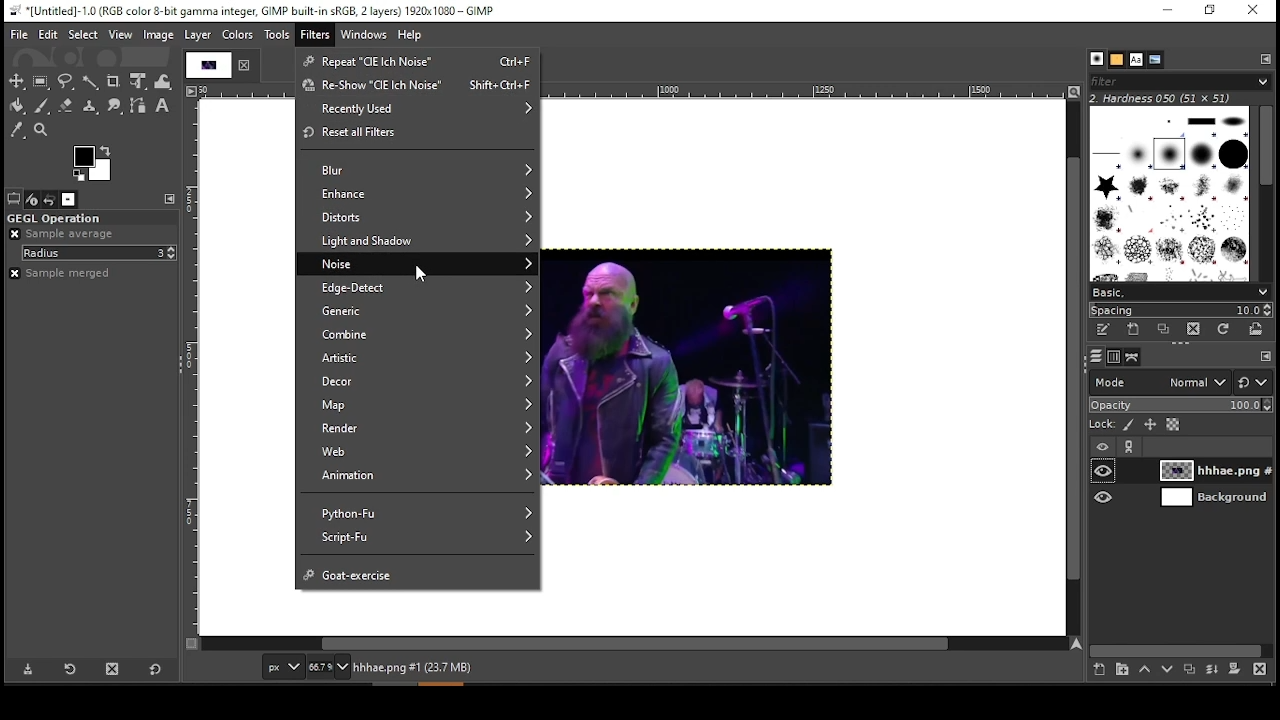  What do you see at coordinates (191, 370) in the screenshot?
I see `vertical scale` at bounding box center [191, 370].